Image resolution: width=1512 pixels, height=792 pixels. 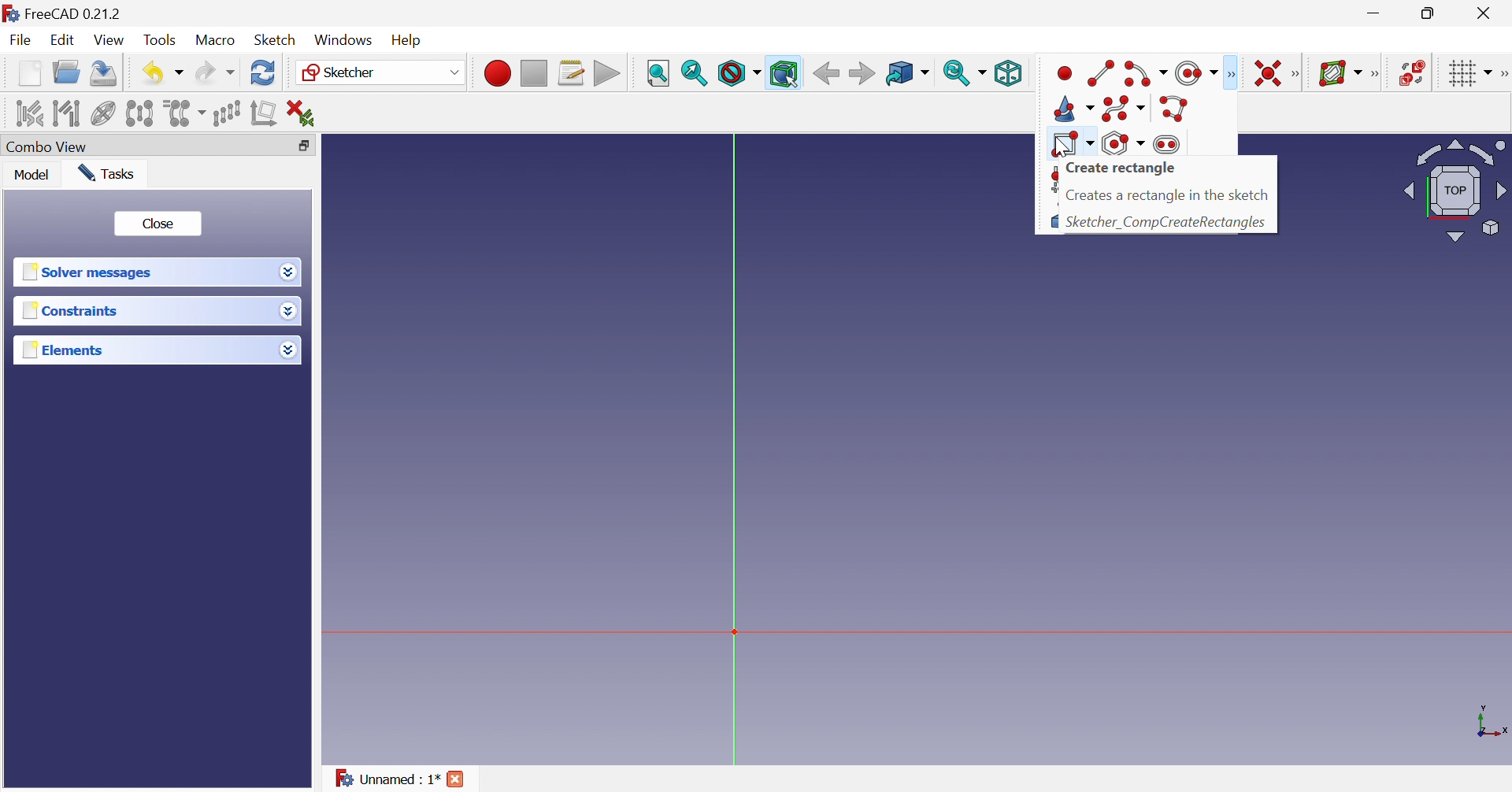 I want to click on Close, so click(x=456, y=778).